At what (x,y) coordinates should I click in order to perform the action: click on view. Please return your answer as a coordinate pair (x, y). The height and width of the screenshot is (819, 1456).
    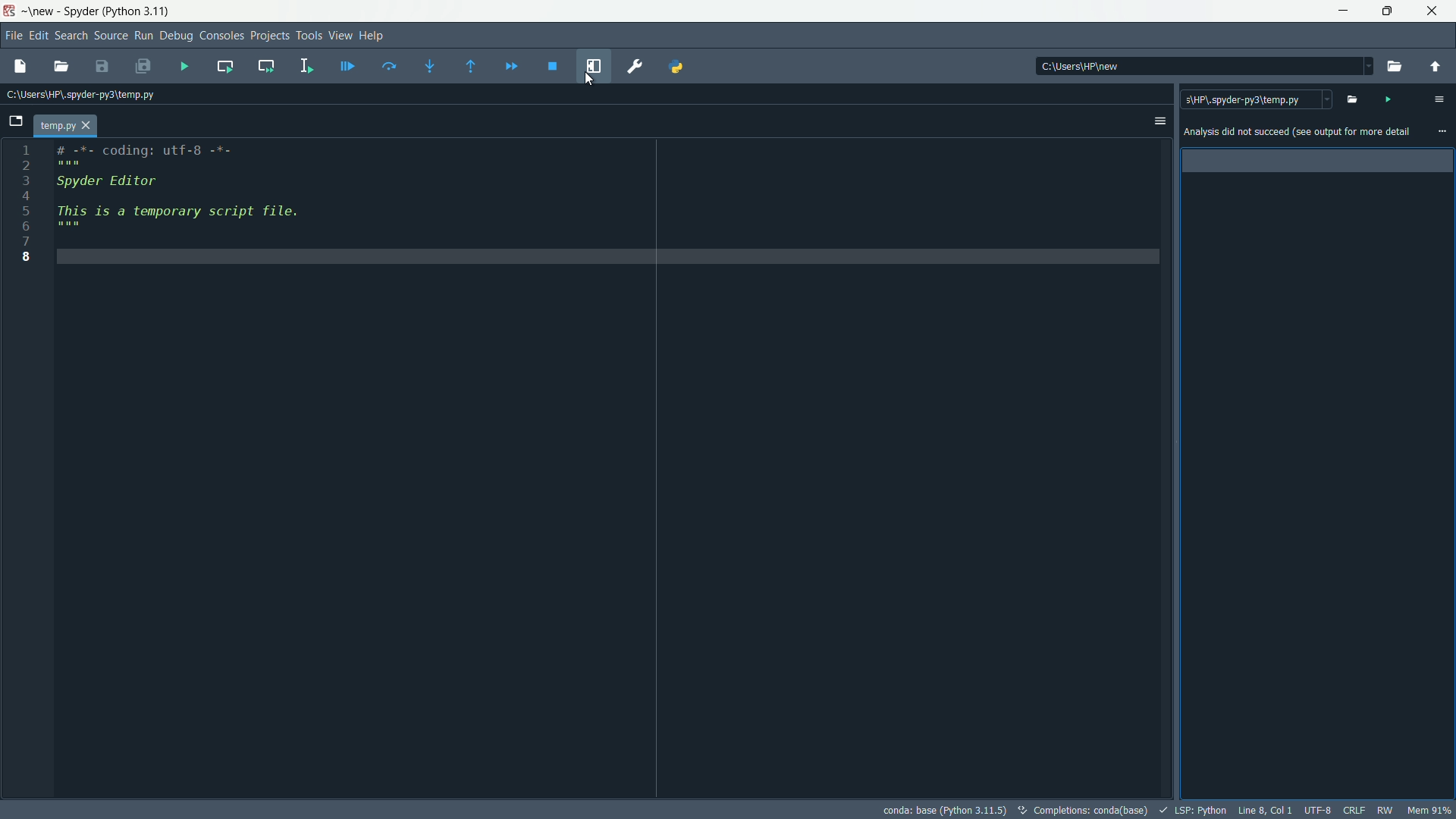
    Looking at the image, I should click on (42, 11).